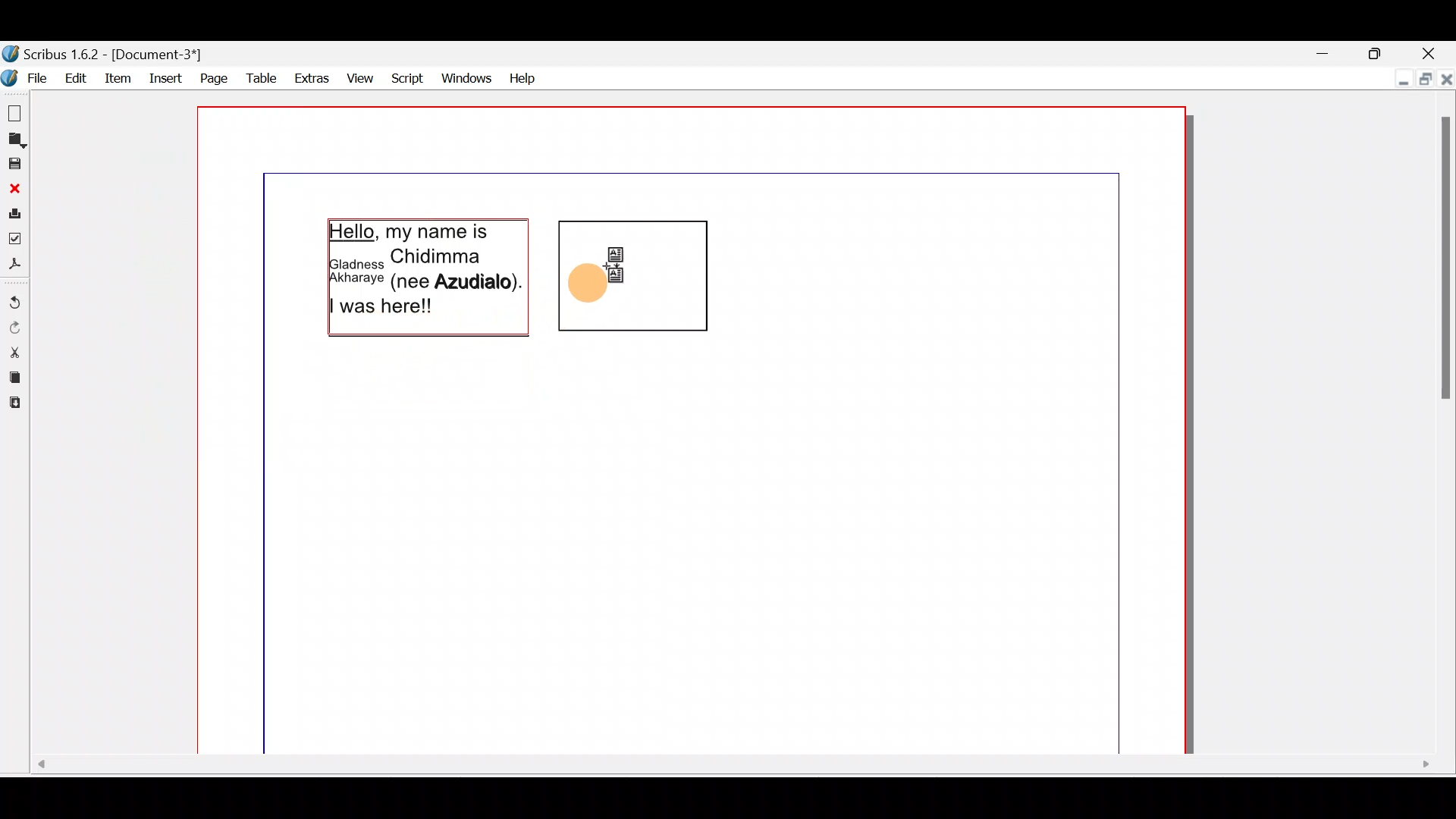  Describe the element at coordinates (1422, 78) in the screenshot. I see `Maximise` at that location.